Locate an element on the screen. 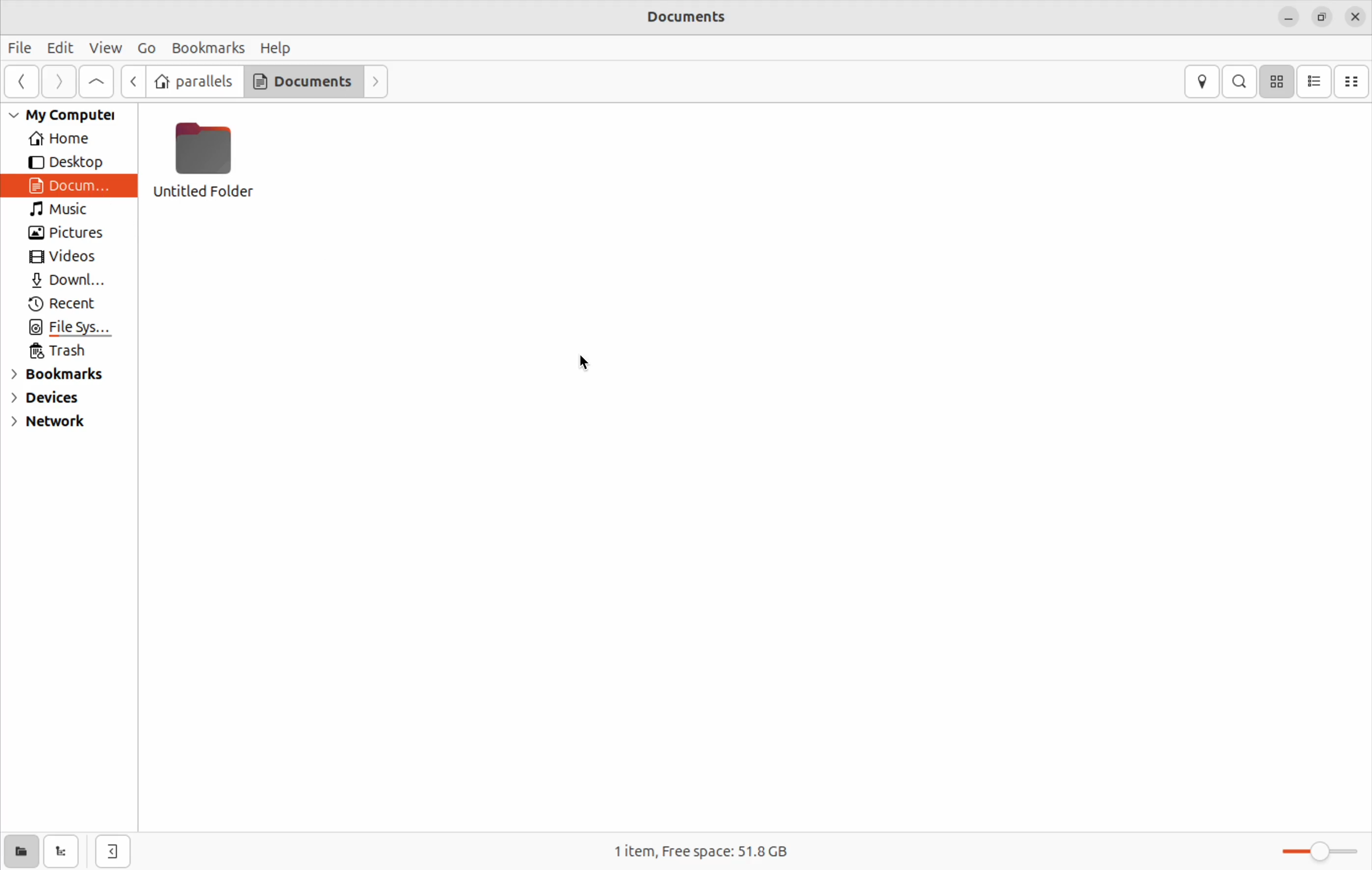 This screenshot has height=870, width=1372. devices is located at coordinates (59, 398).